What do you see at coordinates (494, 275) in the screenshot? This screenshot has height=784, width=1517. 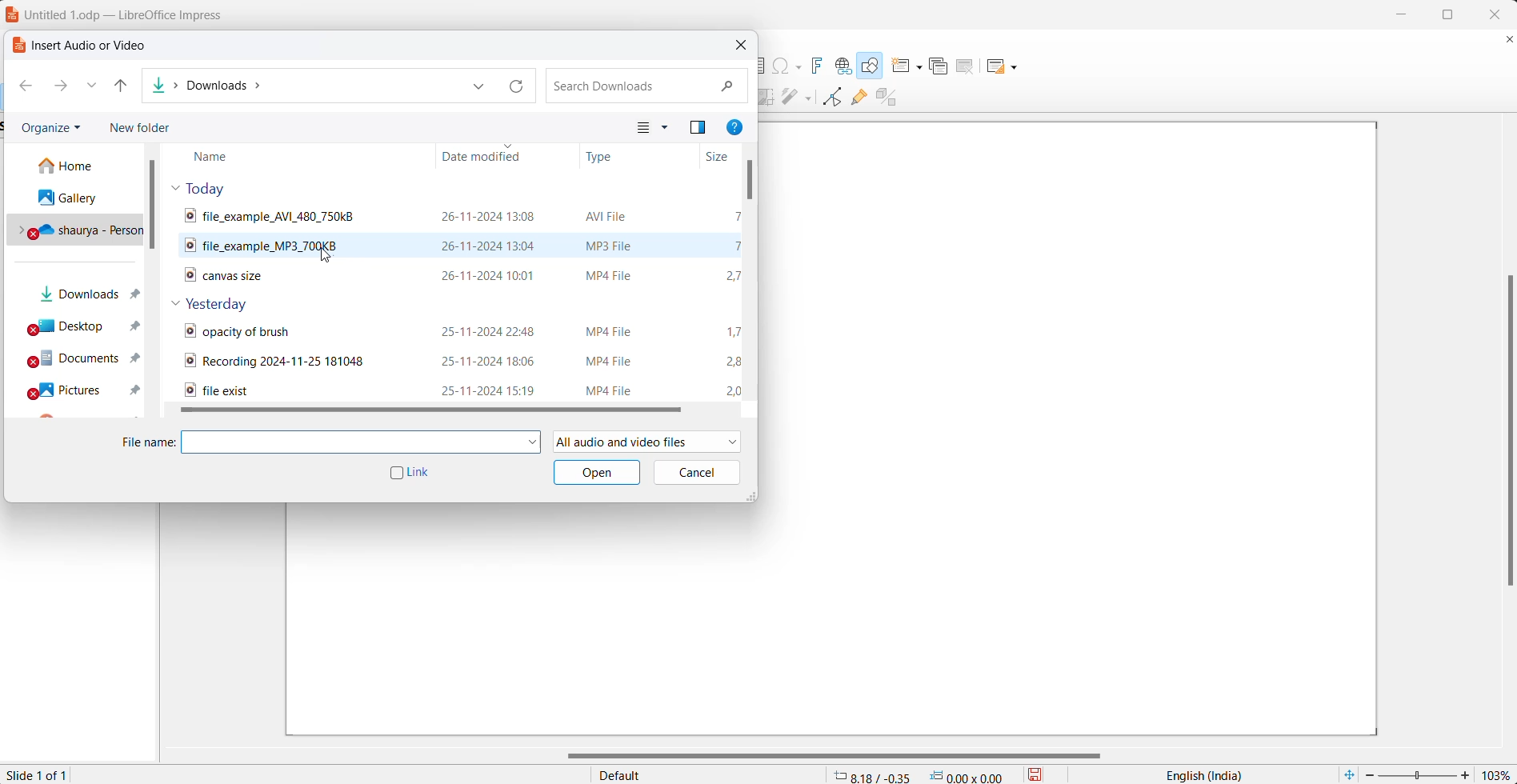 I see `video file modification date` at bounding box center [494, 275].